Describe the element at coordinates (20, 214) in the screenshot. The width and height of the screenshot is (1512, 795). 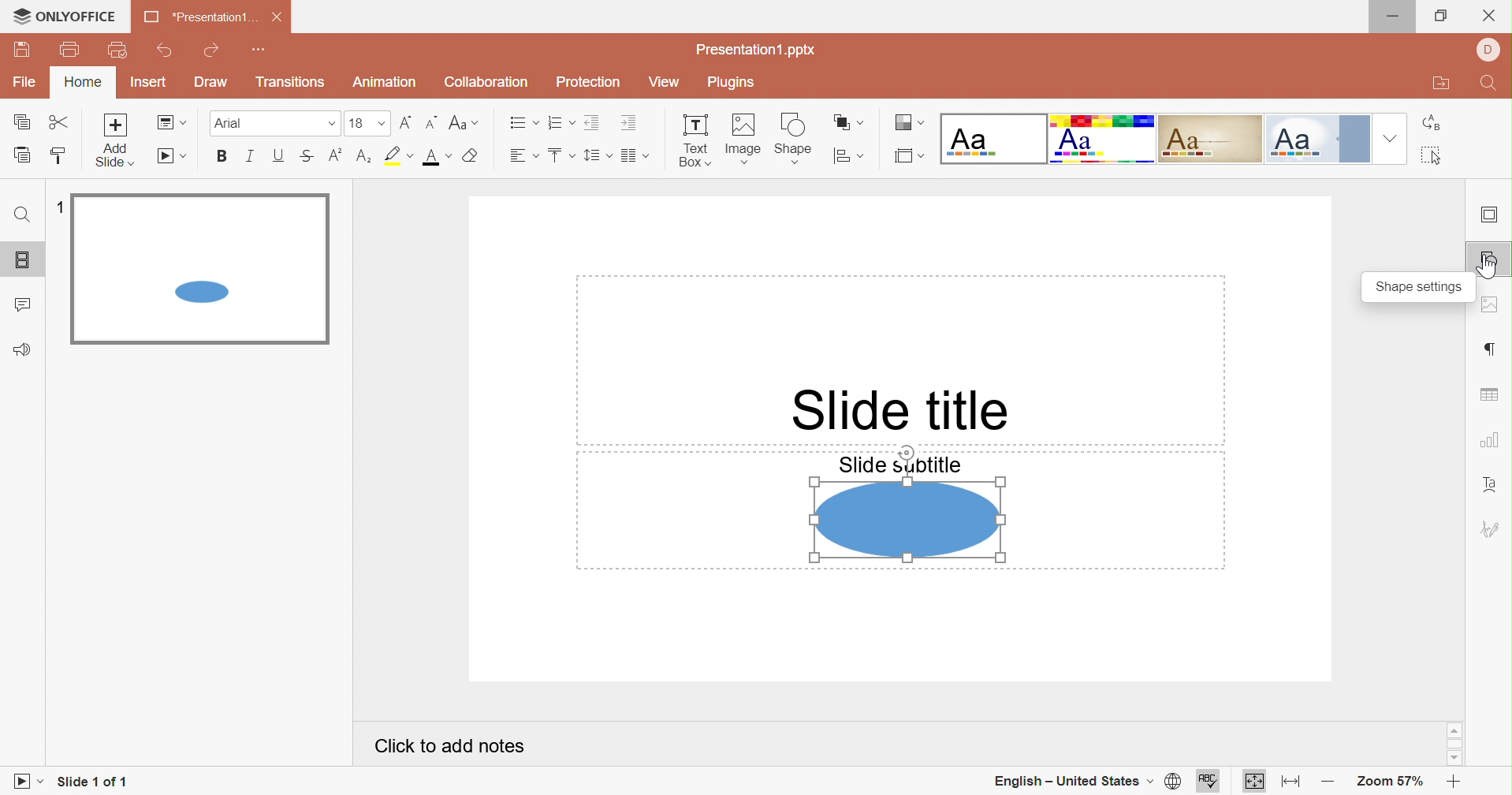
I see `Find` at that location.